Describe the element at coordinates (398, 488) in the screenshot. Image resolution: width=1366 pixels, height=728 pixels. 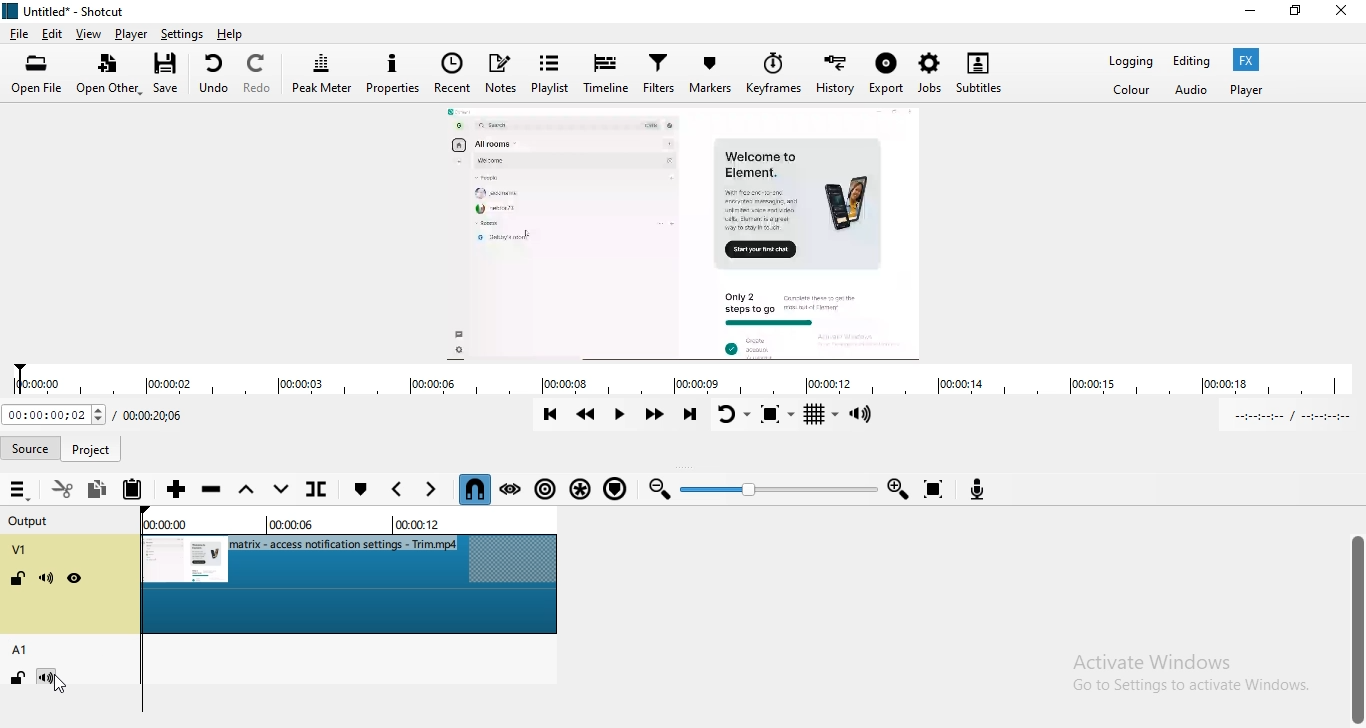
I see `Previous marker` at that location.